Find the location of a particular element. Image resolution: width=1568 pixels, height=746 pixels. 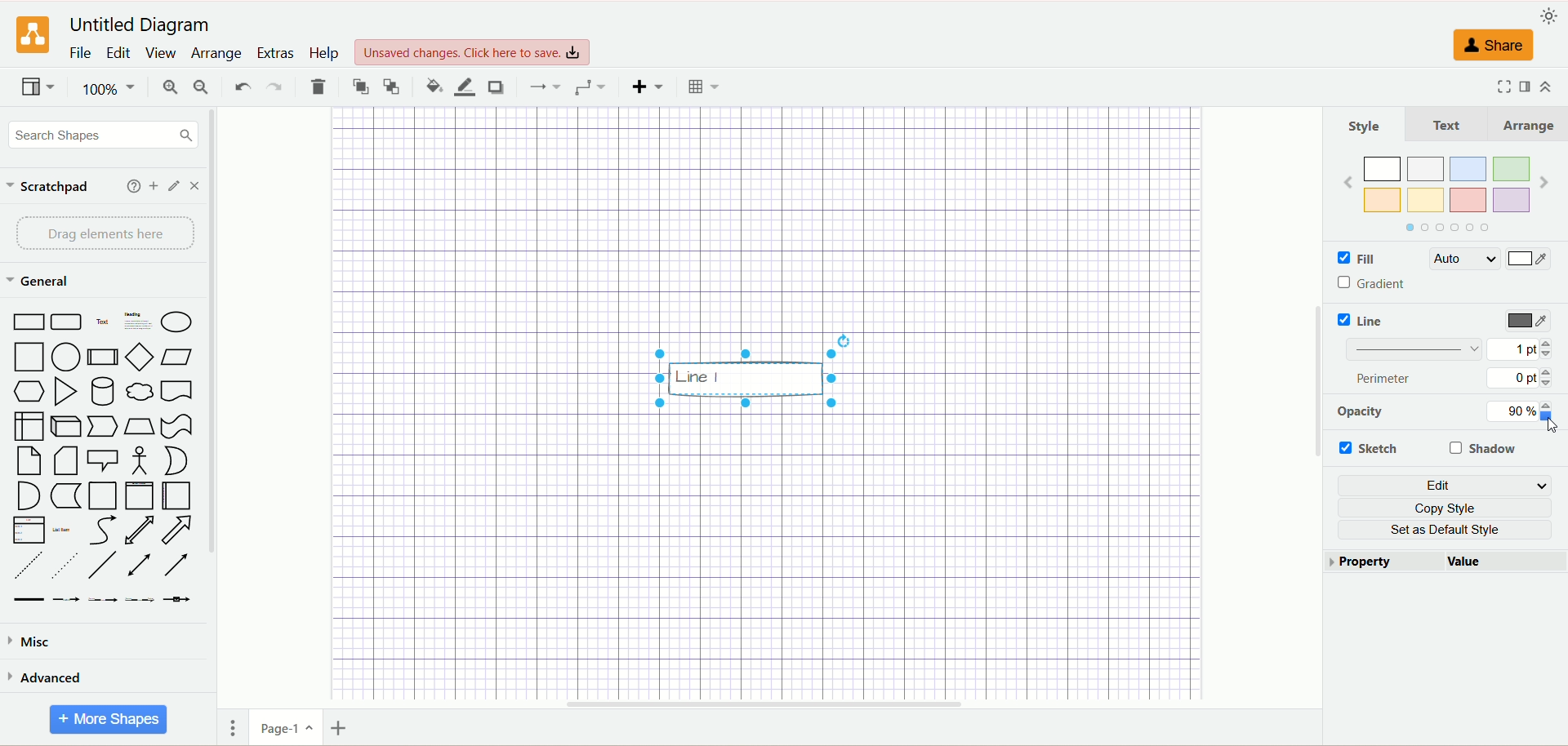

Cursor at Opacity is located at coordinates (1548, 426).